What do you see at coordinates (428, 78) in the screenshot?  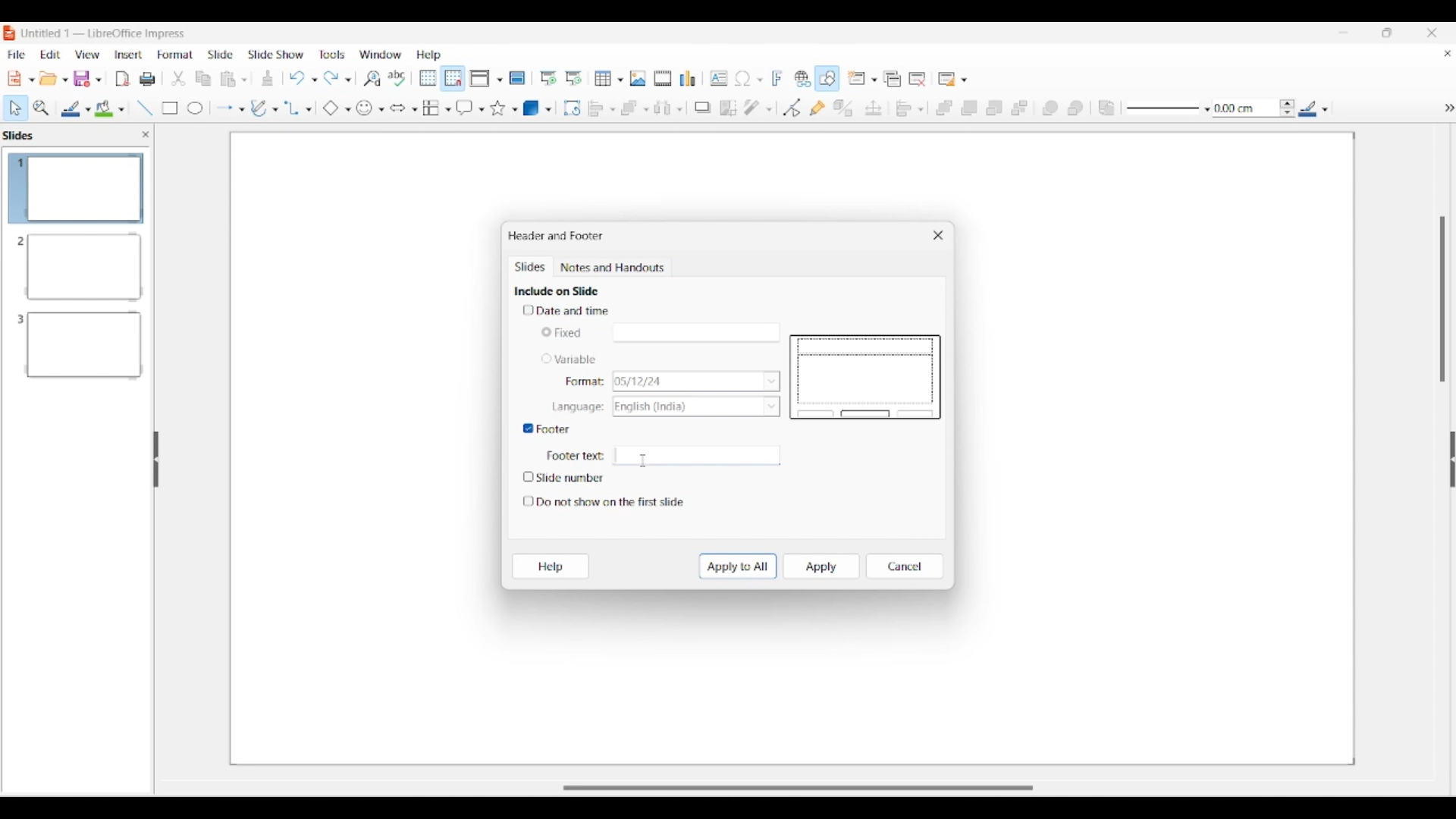 I see `Display grid` at bounding box center [428, 78].